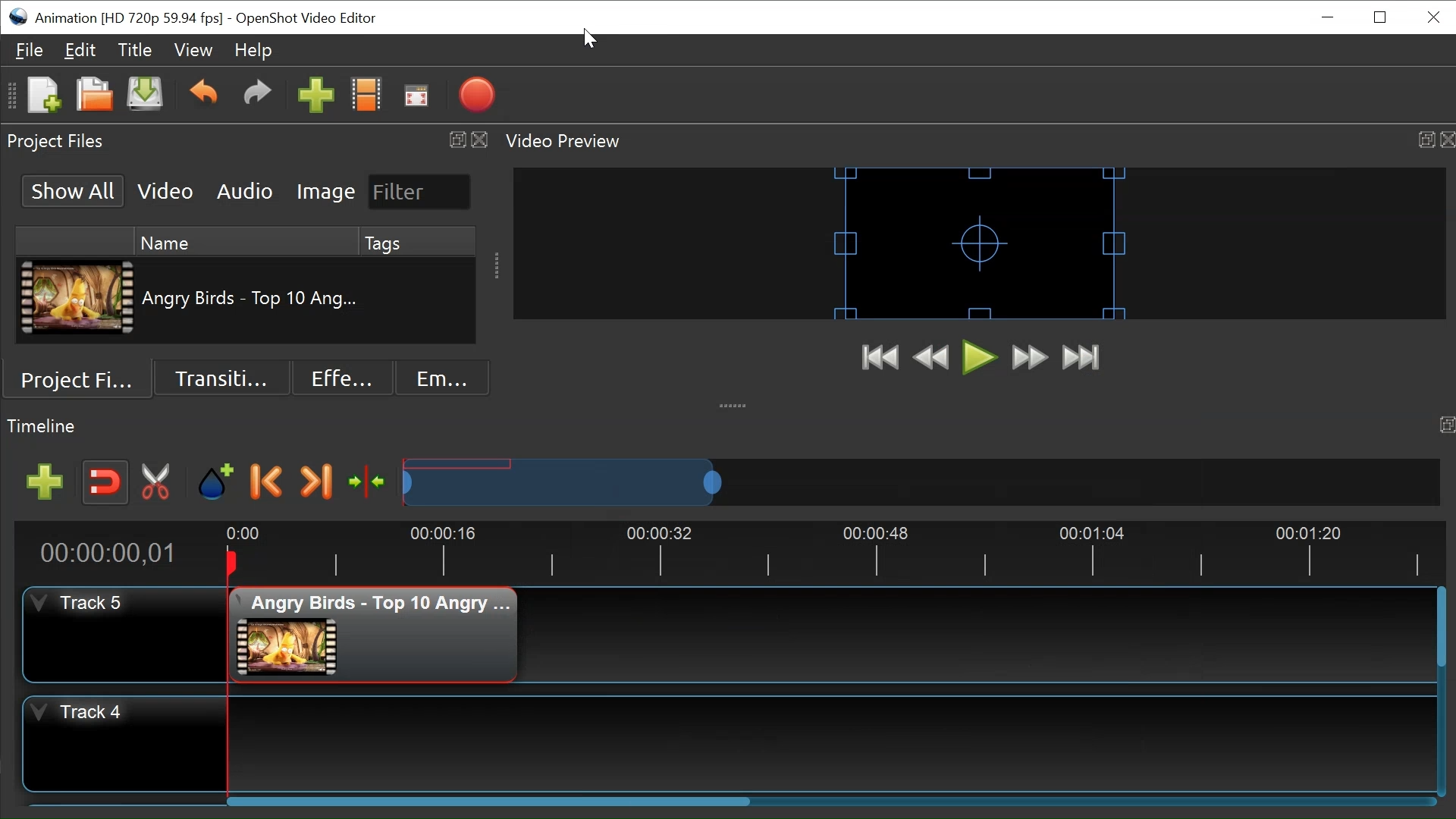  Describe the element at coordinates (134, 52) in the screenshot. I see `Title` at that location.